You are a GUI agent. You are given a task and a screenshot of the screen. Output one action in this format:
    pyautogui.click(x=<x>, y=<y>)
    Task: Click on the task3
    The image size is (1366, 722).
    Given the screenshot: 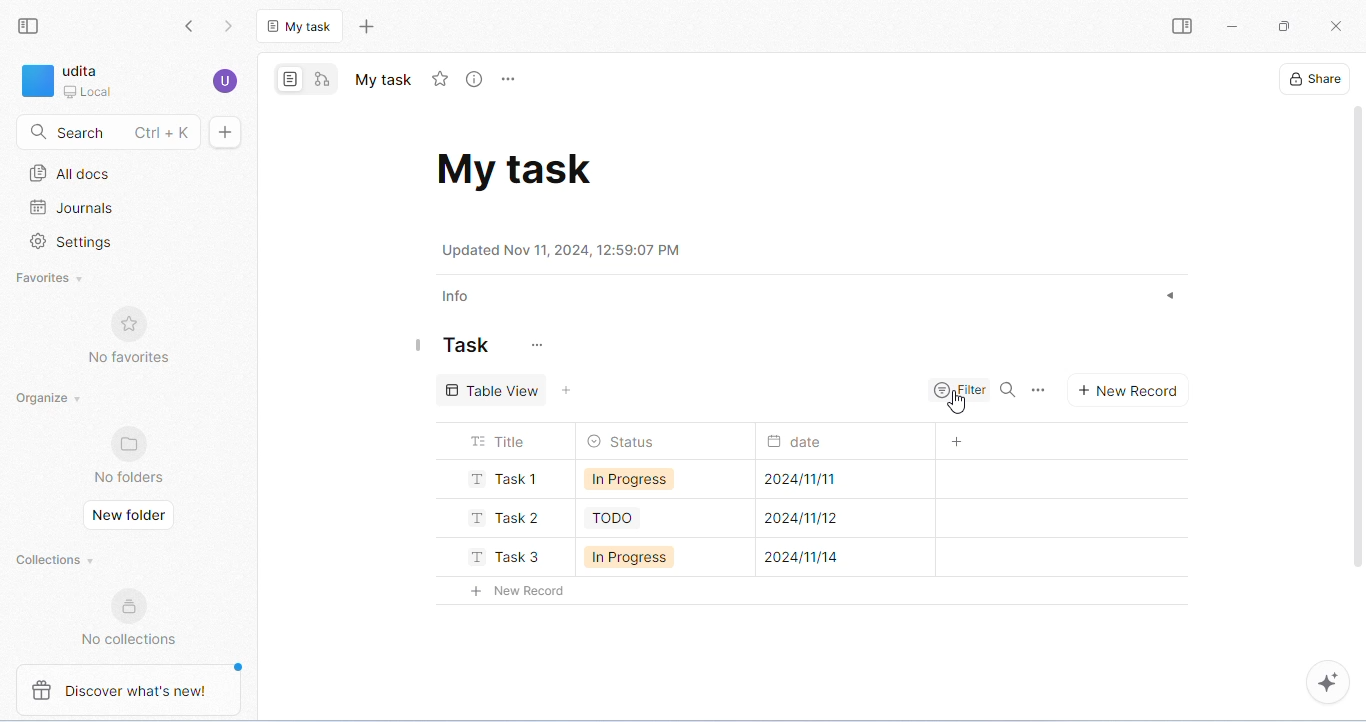 What is the action you would take?
    pyautogui.click(x=504, y=555)
    